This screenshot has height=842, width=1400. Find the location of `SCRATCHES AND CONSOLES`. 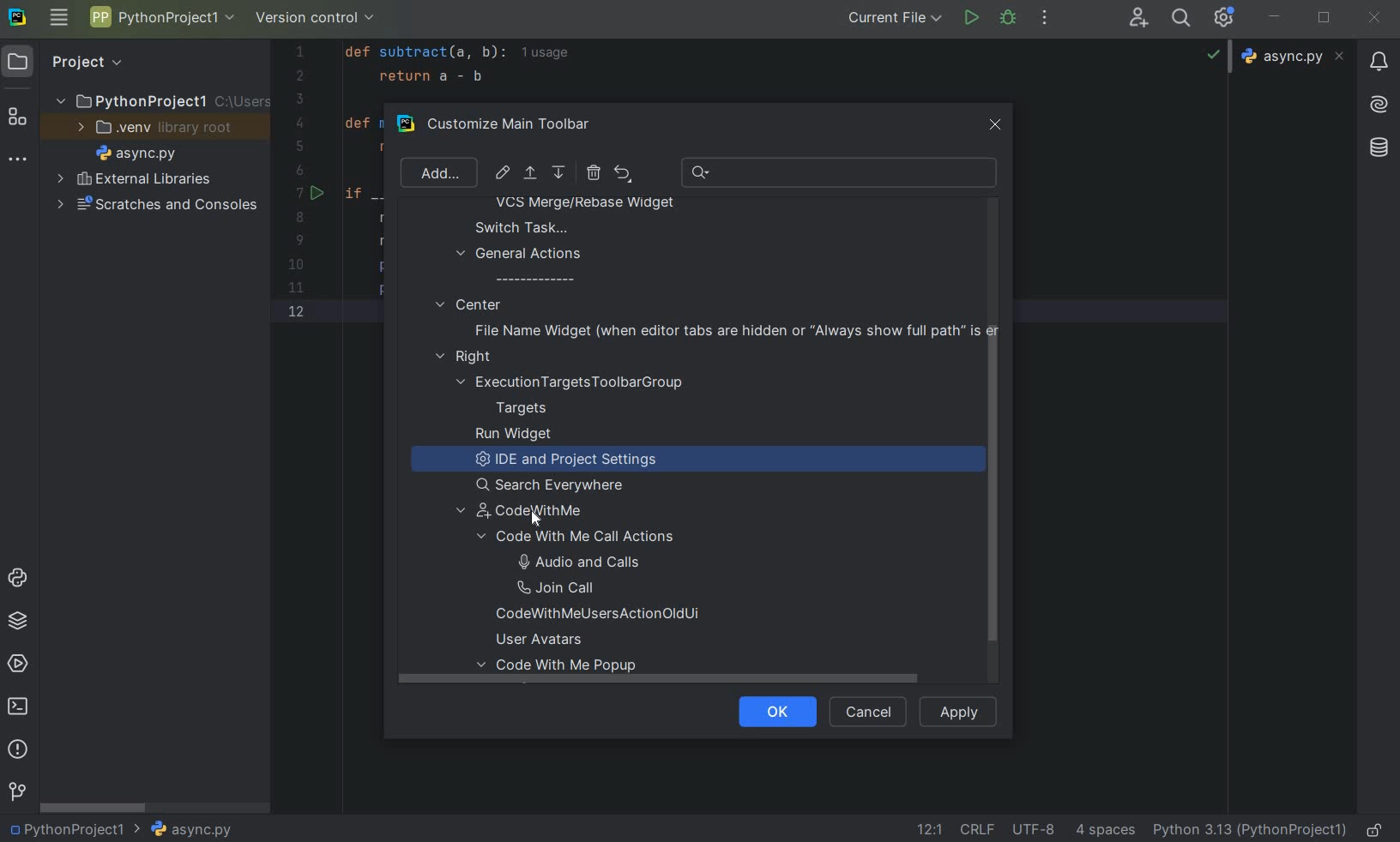

SCRATCHES AND CONSOLES is located at coordinates (158, 205).